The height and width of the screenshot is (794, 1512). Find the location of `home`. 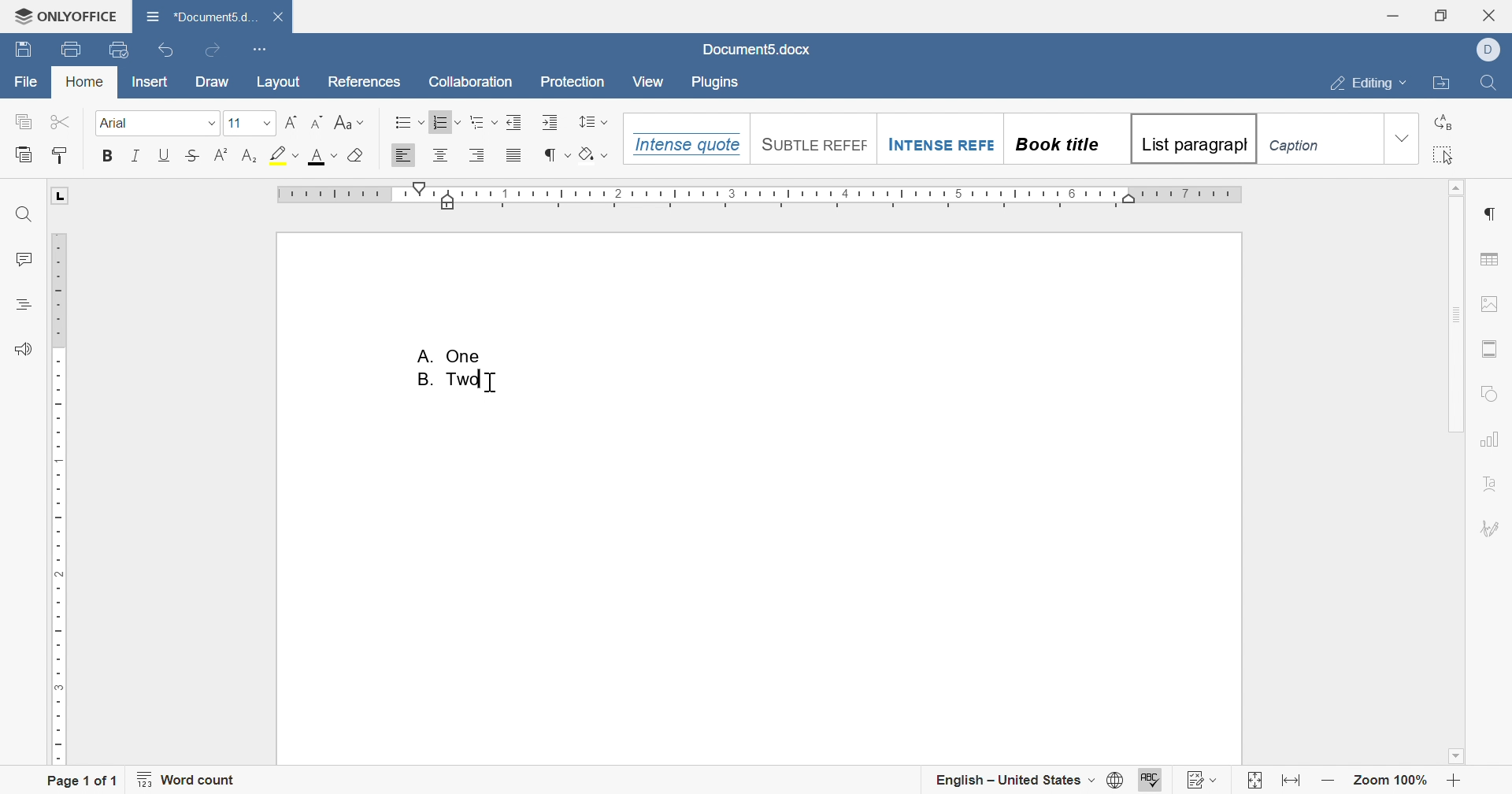

home is located at coordinates (83, 82).